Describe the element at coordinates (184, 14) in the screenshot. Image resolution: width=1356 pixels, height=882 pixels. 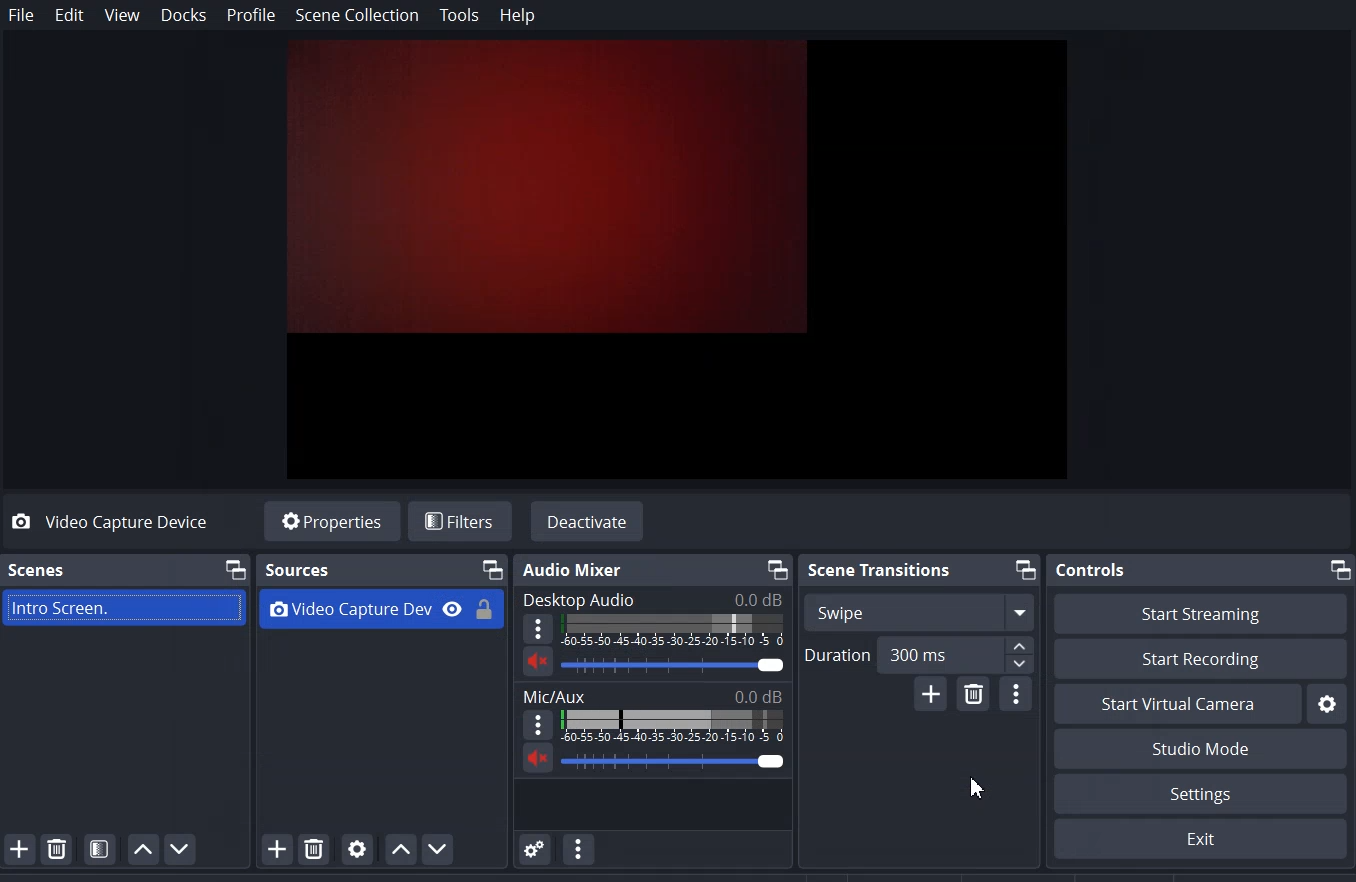
I see `Docks` at that location.